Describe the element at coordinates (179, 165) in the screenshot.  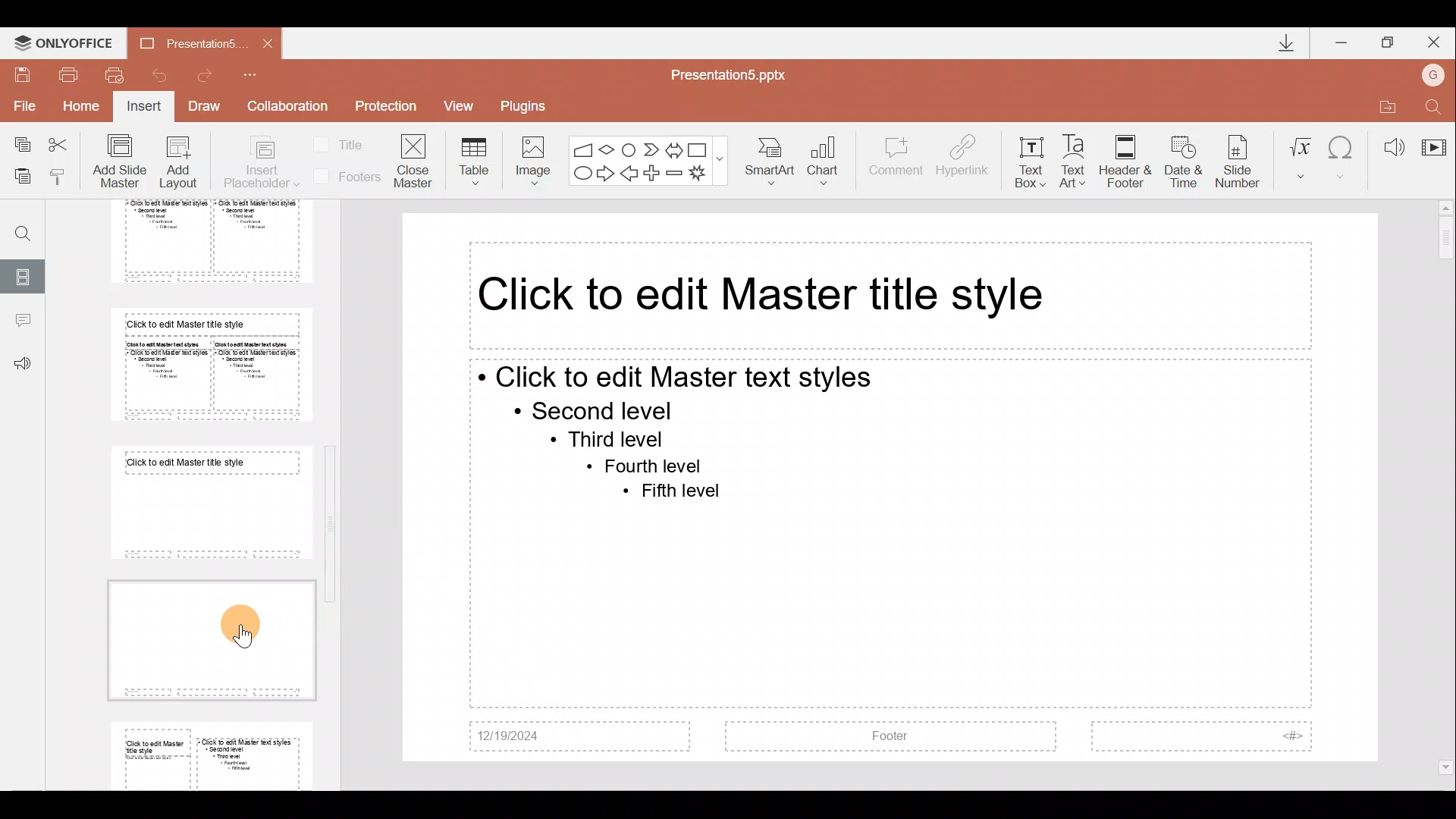
I see `Add layout` at that location.